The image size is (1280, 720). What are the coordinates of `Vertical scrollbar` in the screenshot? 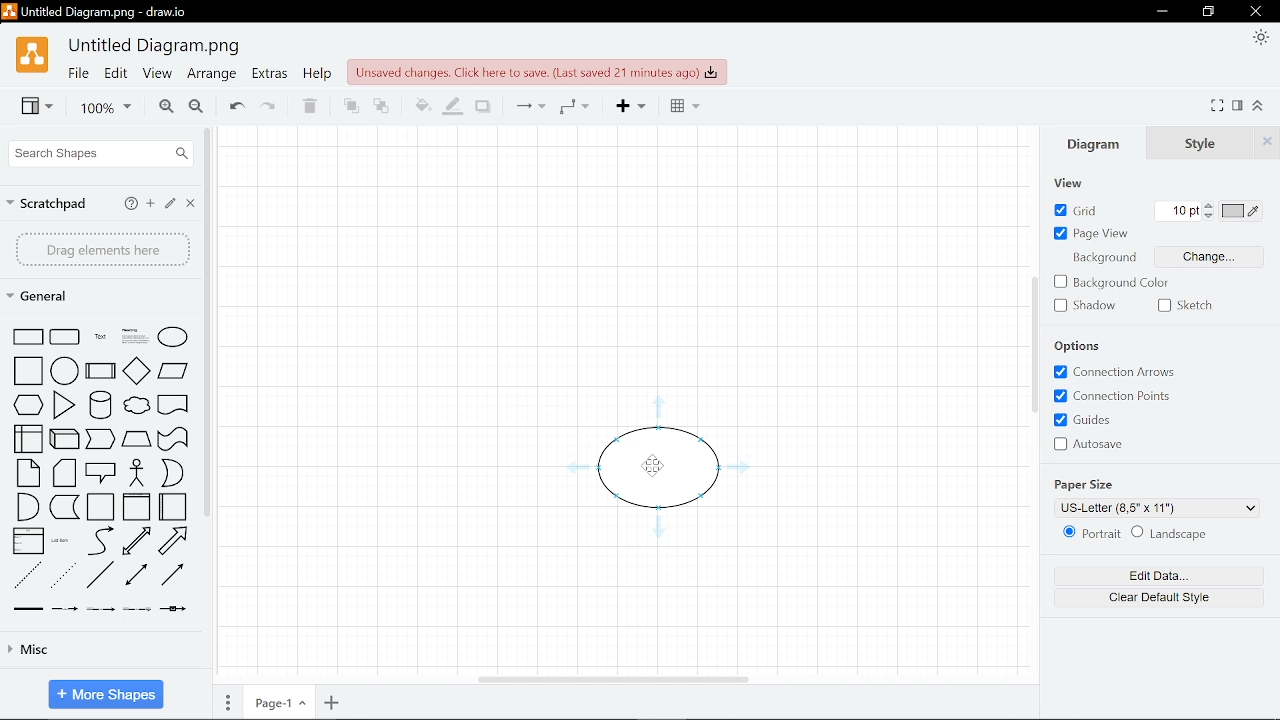 It's located at (1032, 346).